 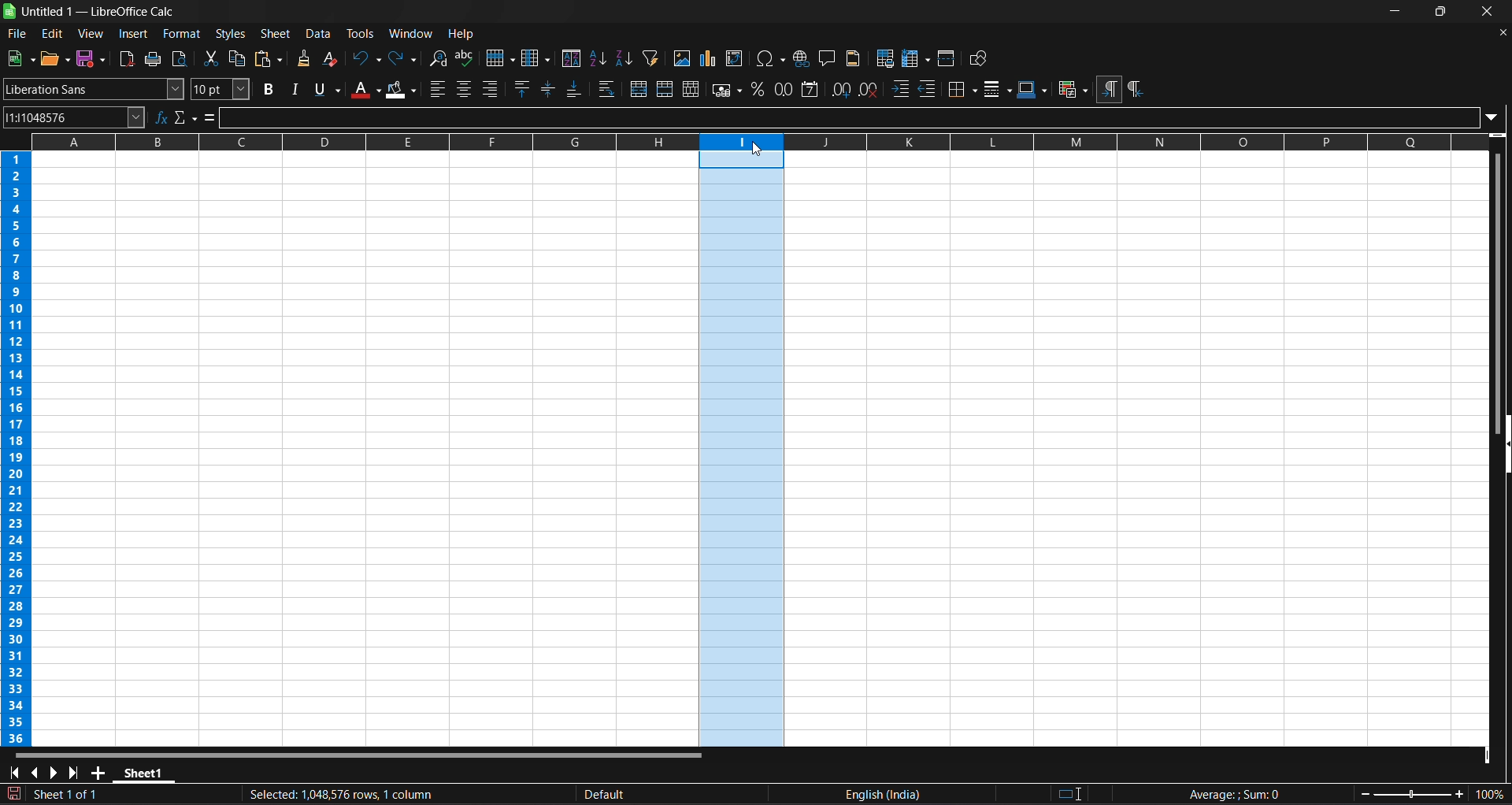 What do you see at coordinates (1503, 32) in the screenshot?
I see `close document` at bounding box center [1503, 32].